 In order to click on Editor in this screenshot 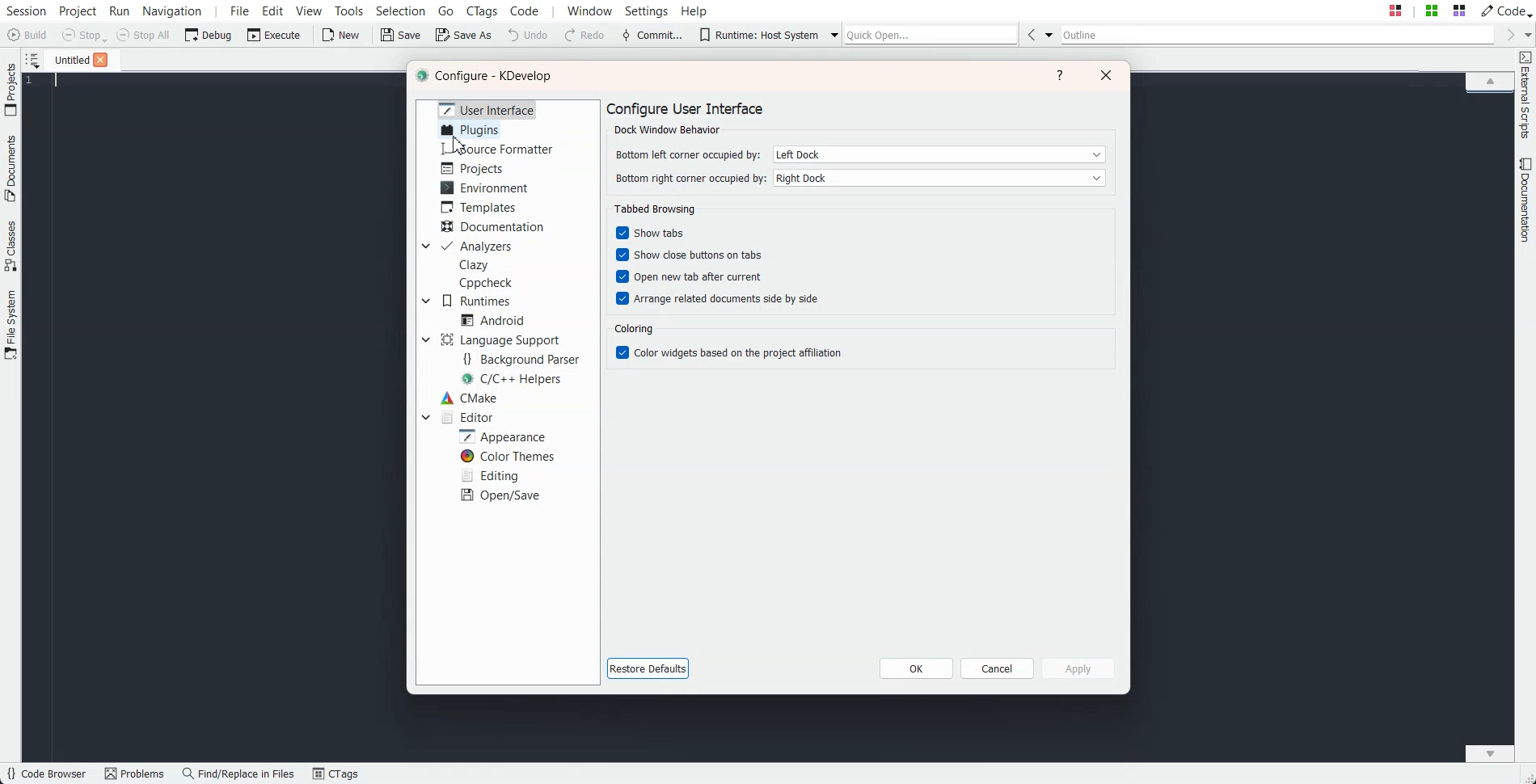, I will do `click(466, 416)`.